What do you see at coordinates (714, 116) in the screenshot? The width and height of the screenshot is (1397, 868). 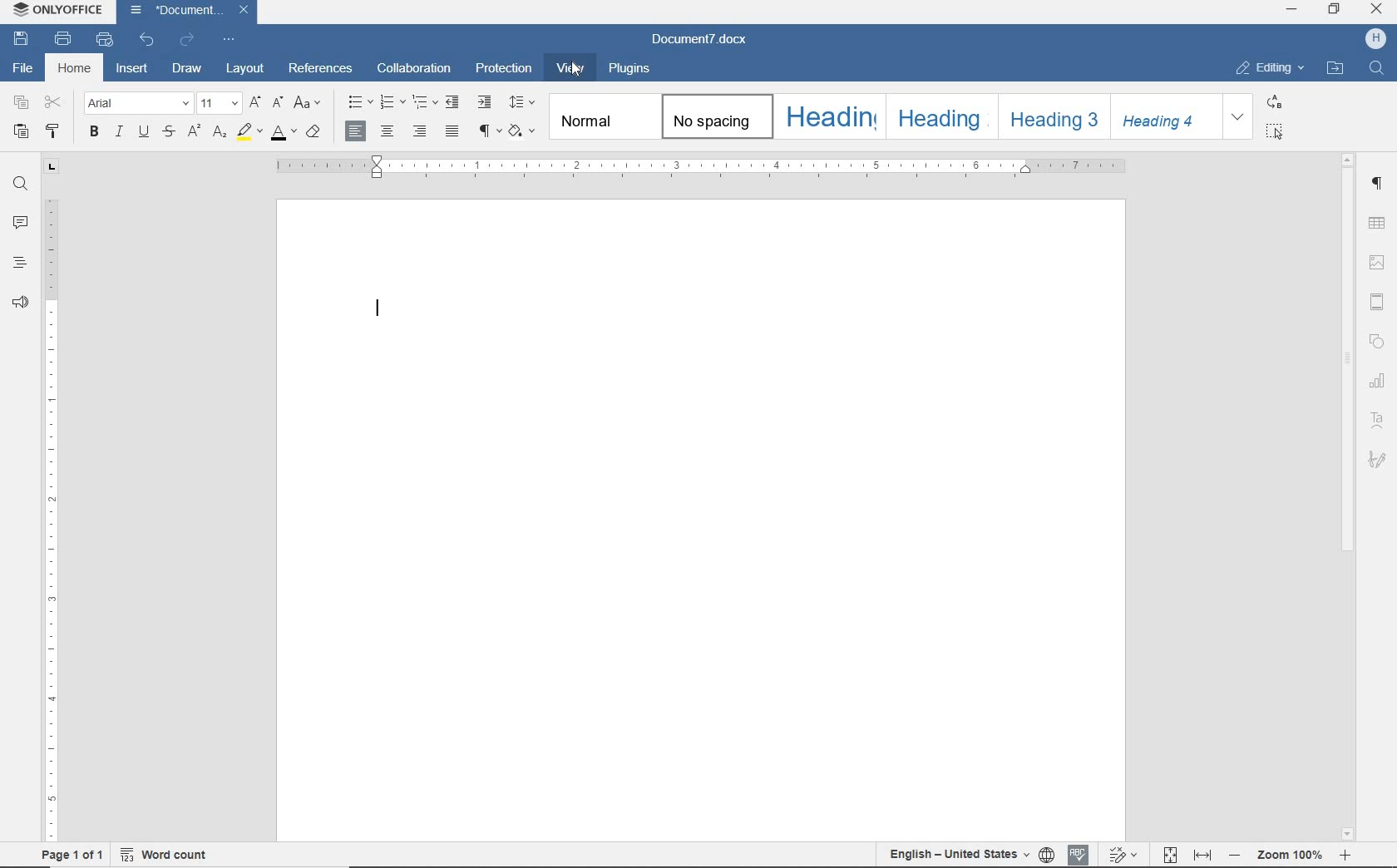 I see `NO SPACING` at bounding box center [714, 116].